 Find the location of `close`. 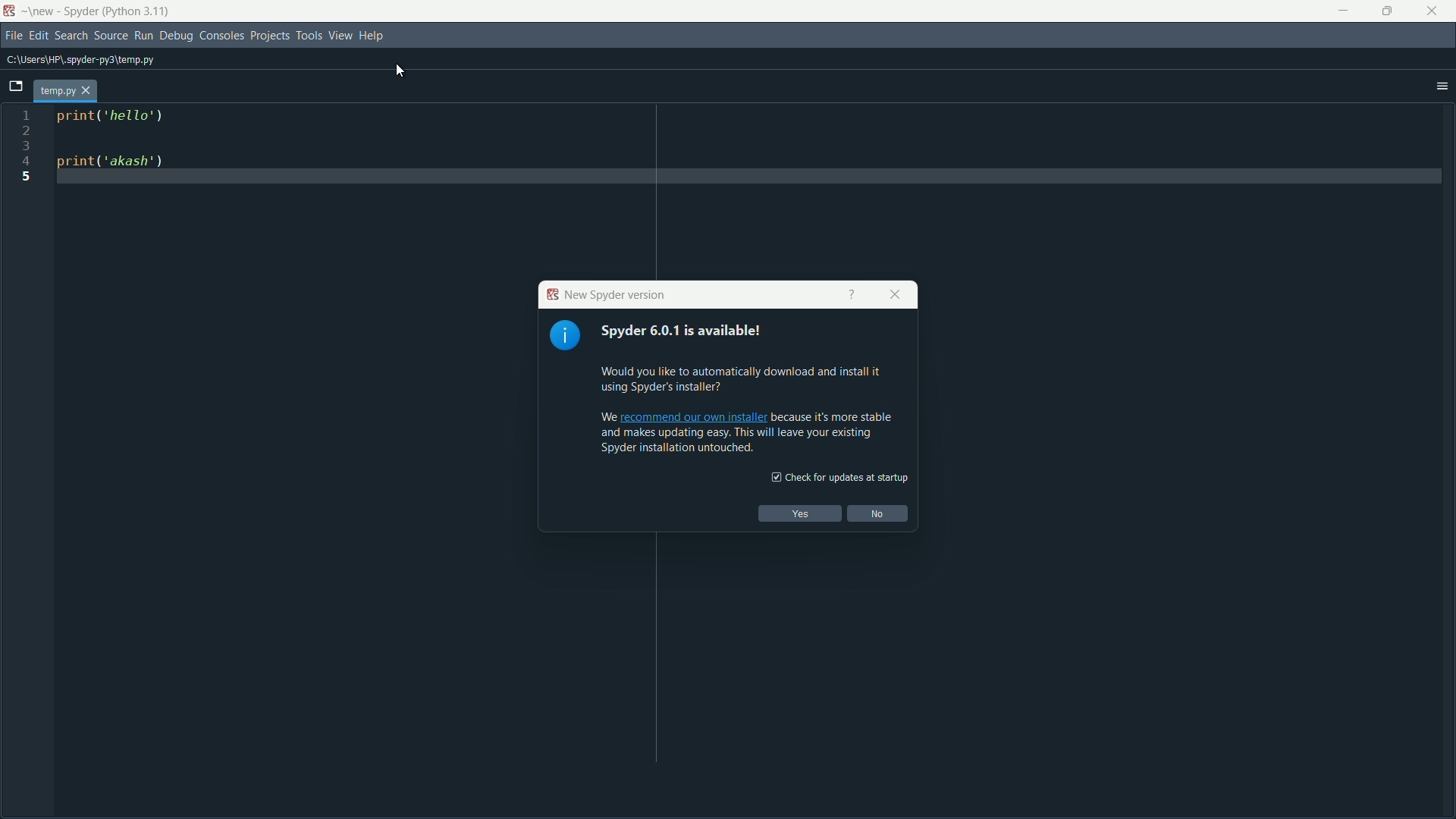

close is located at coordinates (88, 91).